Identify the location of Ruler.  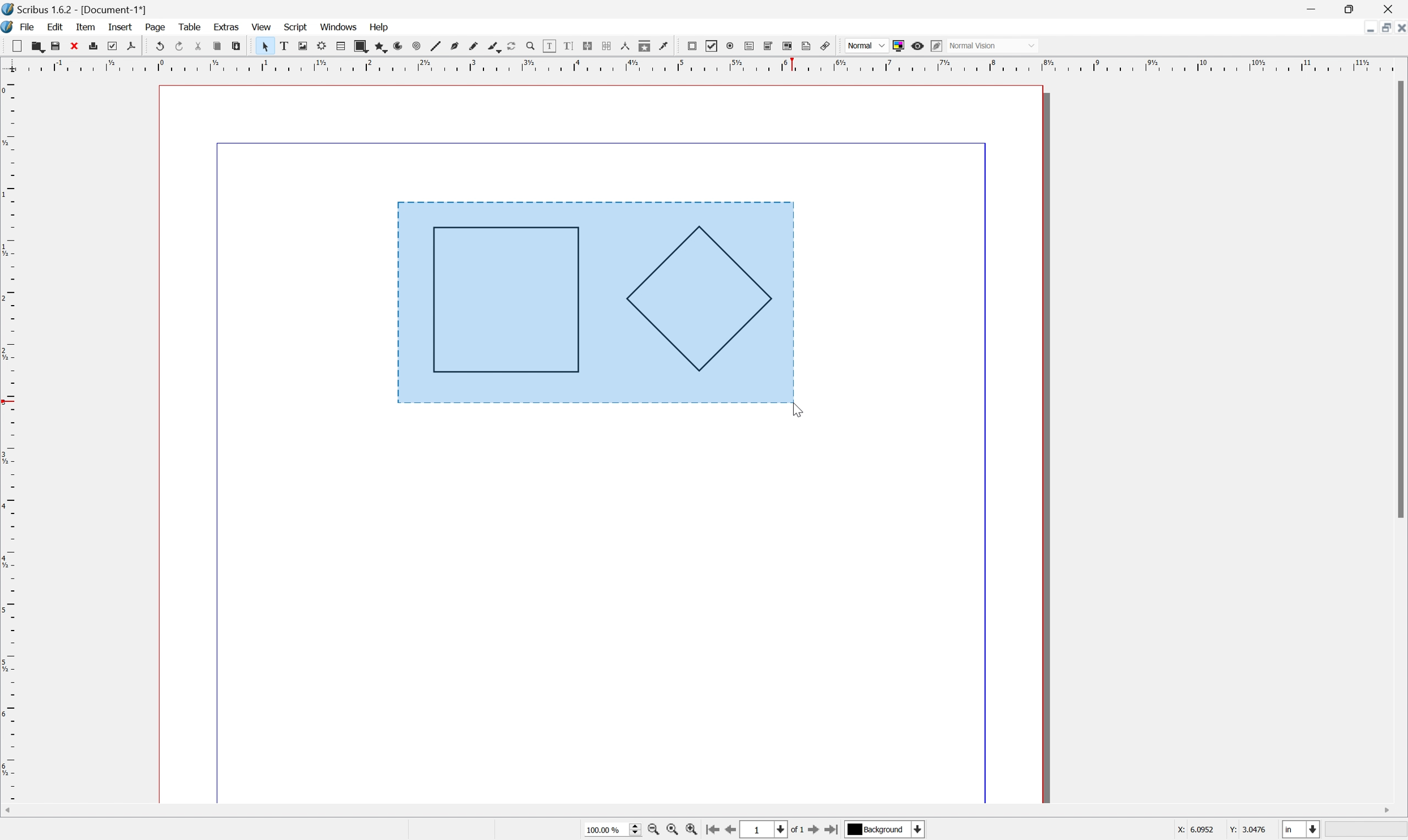
(706, 63).